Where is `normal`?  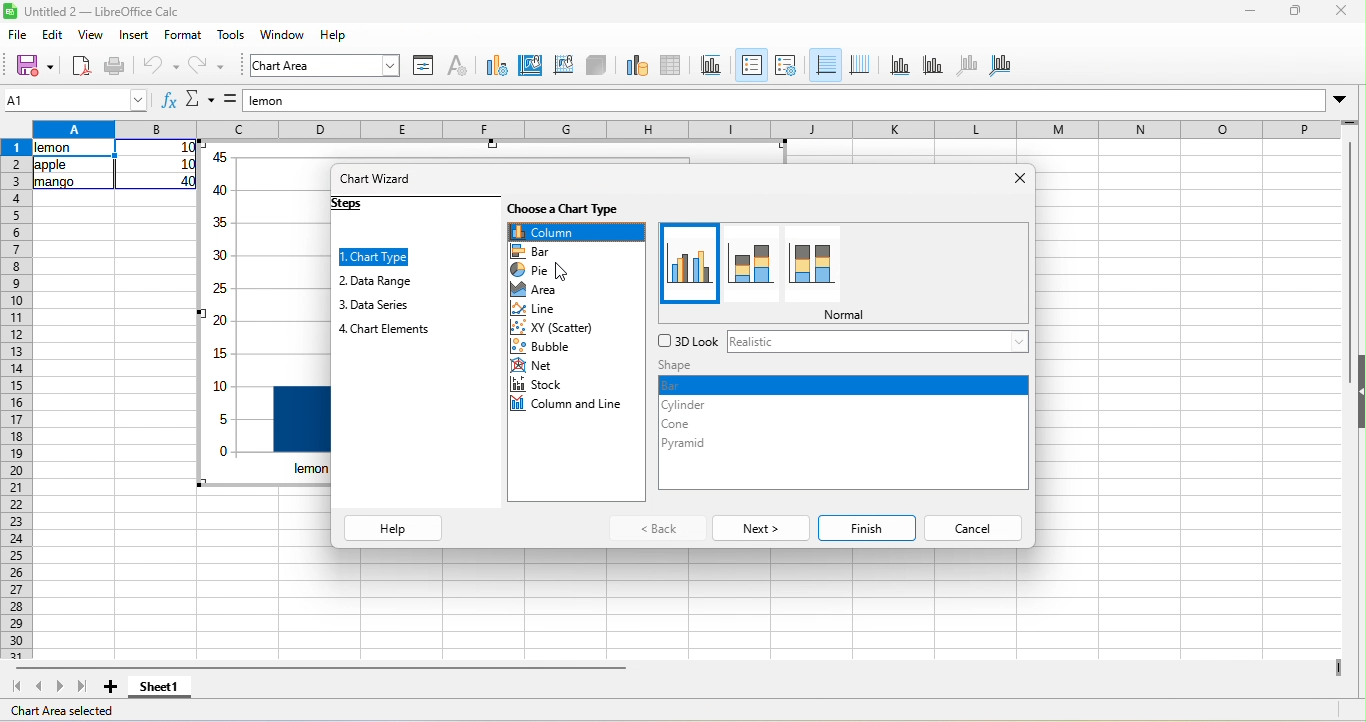
normal is located at coordinates (690, 264).